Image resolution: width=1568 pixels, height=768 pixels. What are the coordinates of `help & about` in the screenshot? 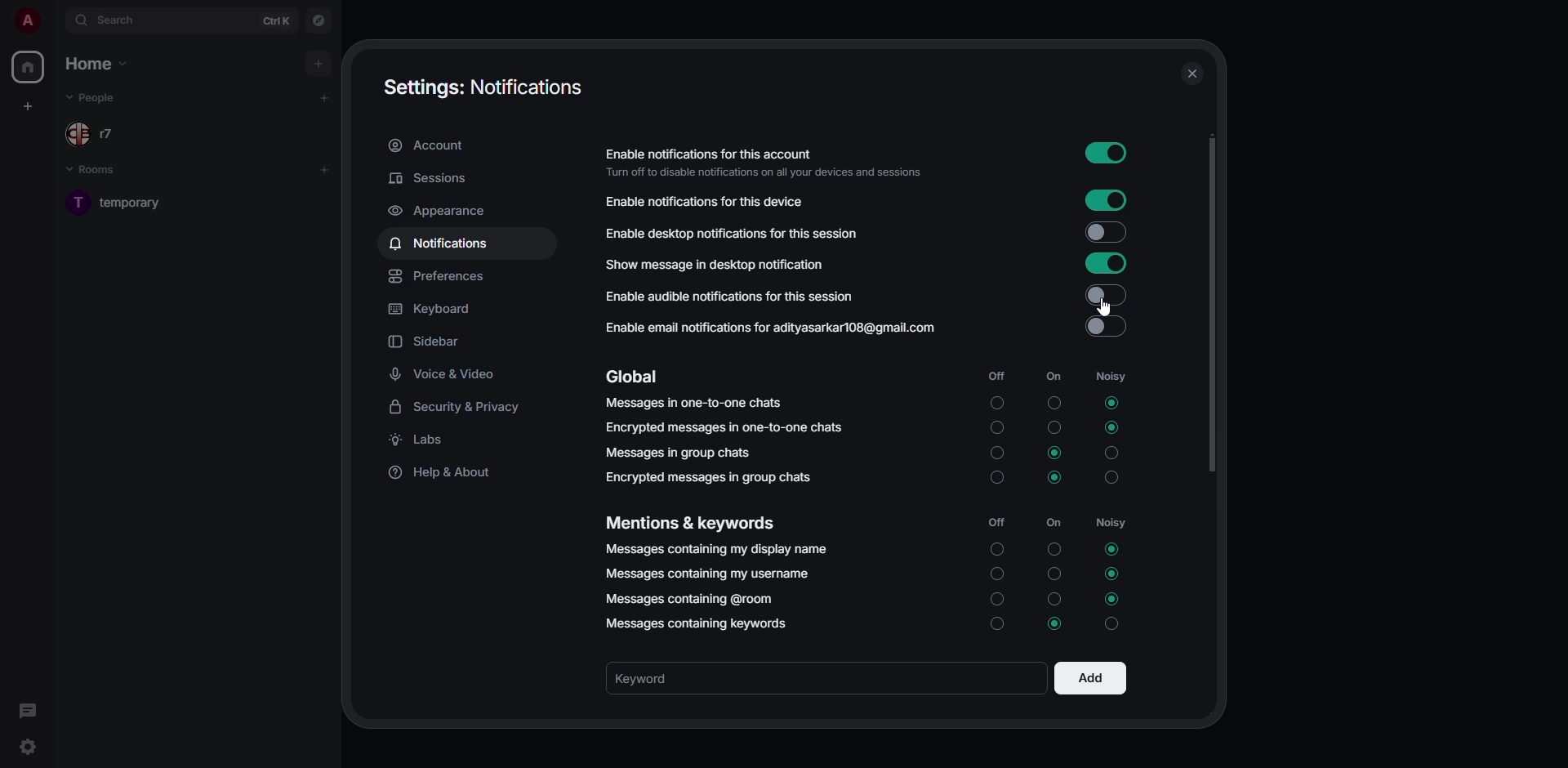 It's located at (449, 473).